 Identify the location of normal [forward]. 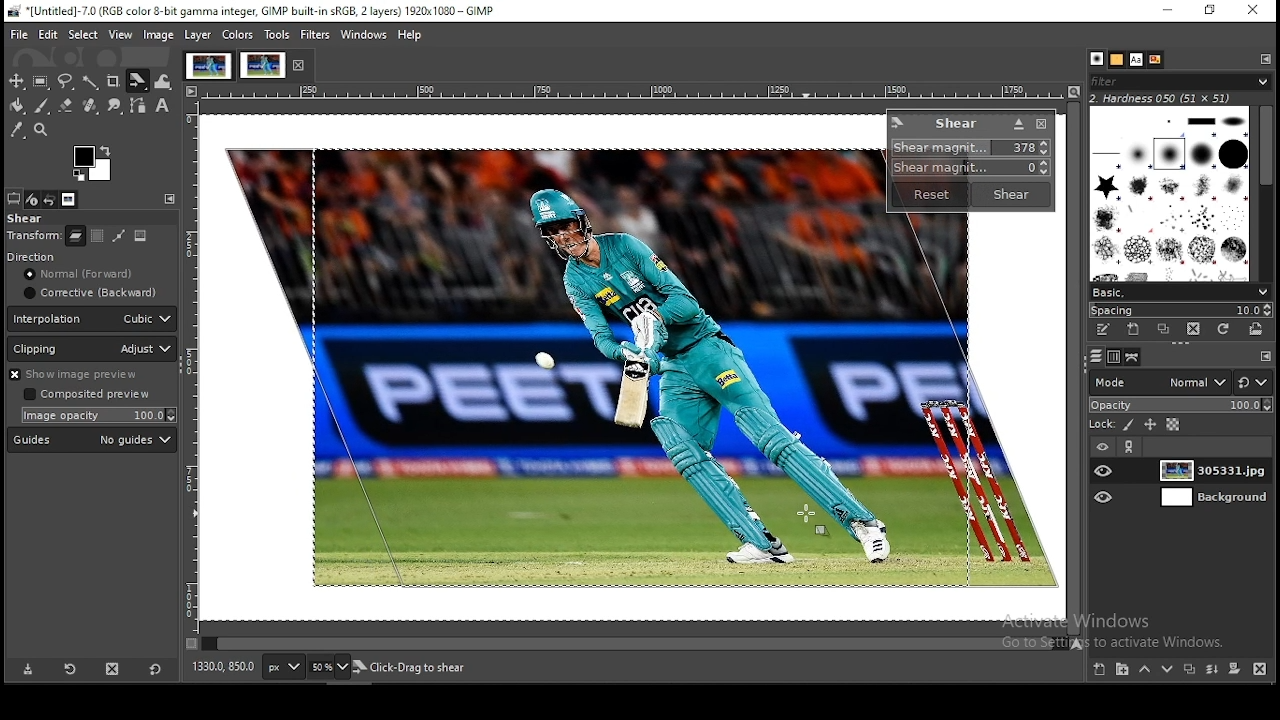
(93, 274).